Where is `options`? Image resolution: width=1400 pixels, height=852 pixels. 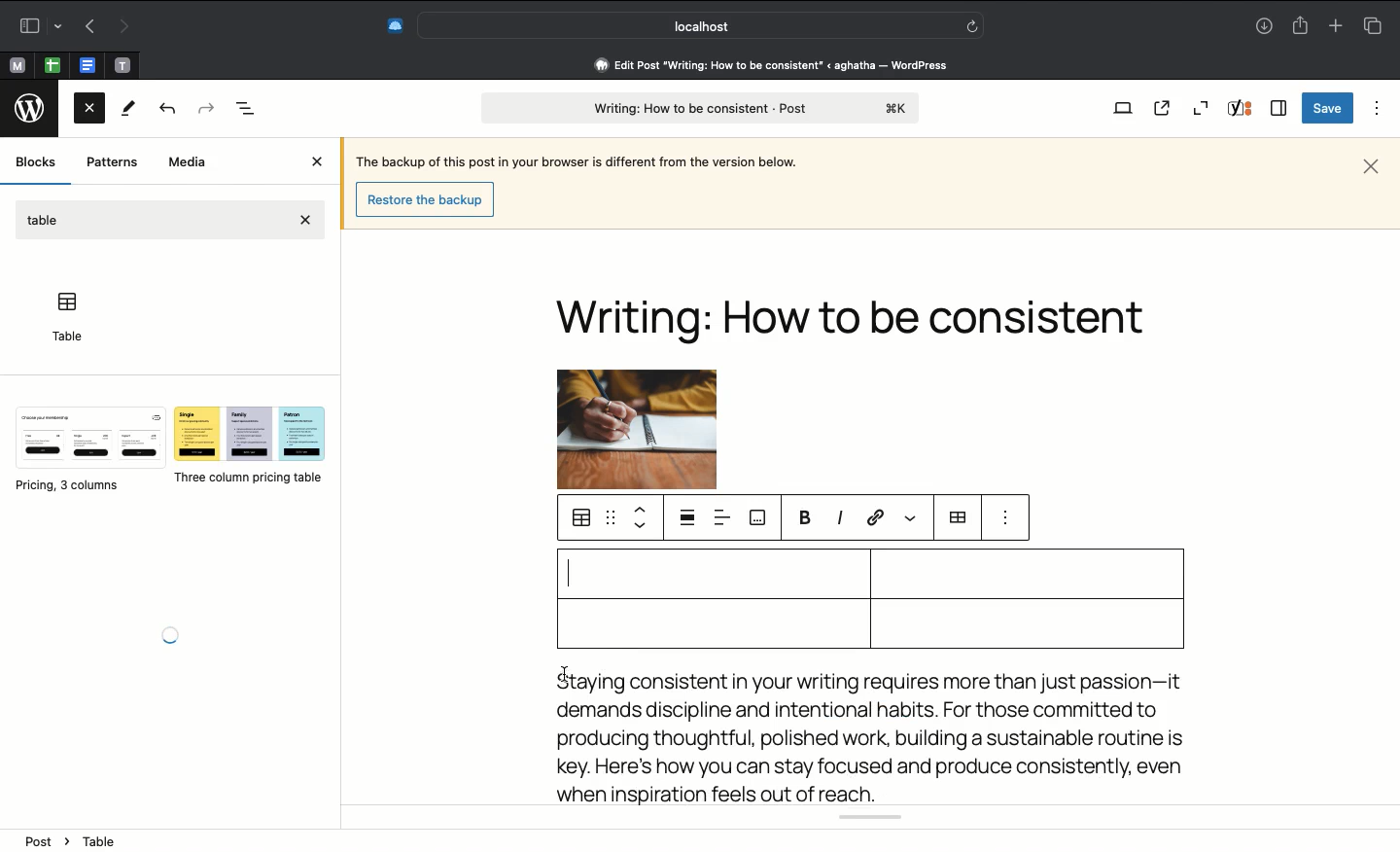 options is located at coordinates (1006, 518).